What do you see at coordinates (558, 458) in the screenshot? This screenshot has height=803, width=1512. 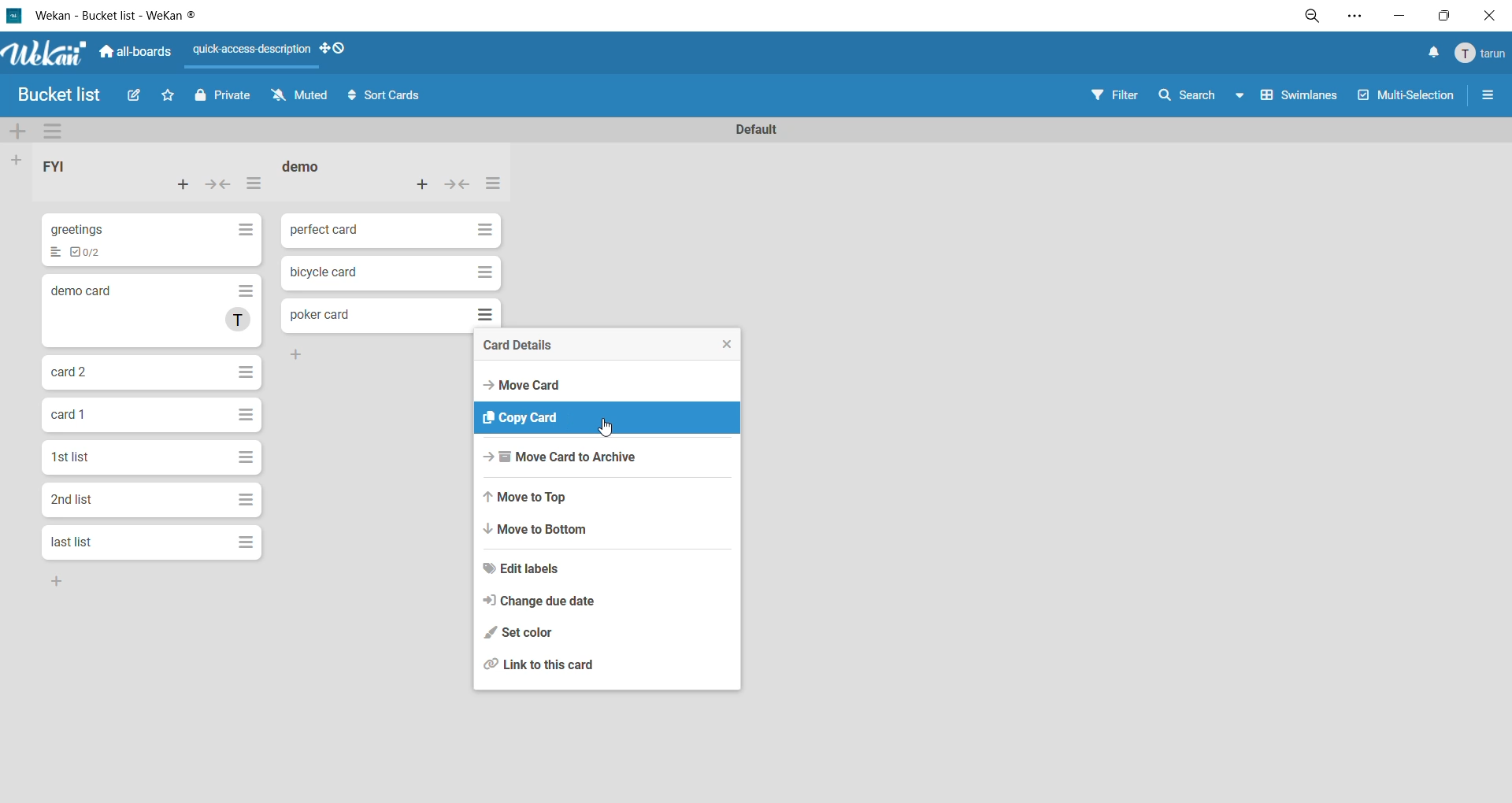 I see `move card to archive` at bounding box center [558, 458].